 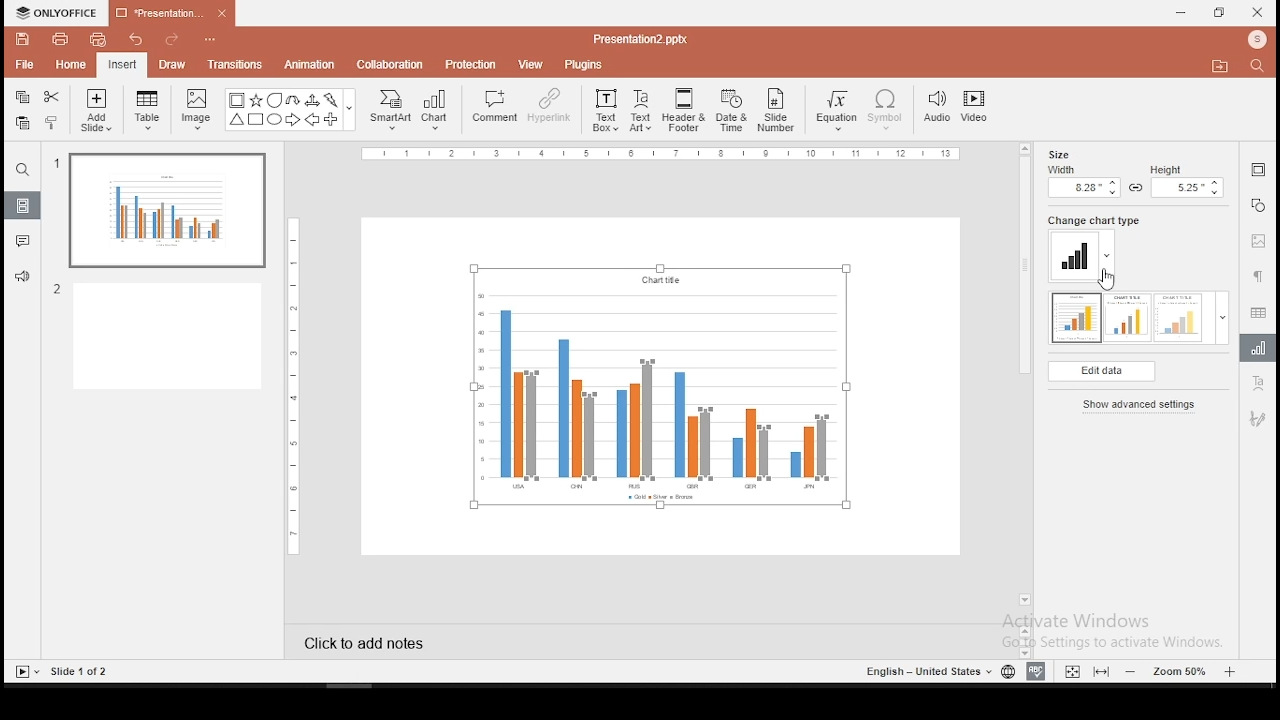 What do you see at coordinates (23, 97) in the screenshot?
I see `copy` at bounding box center [23, 97].